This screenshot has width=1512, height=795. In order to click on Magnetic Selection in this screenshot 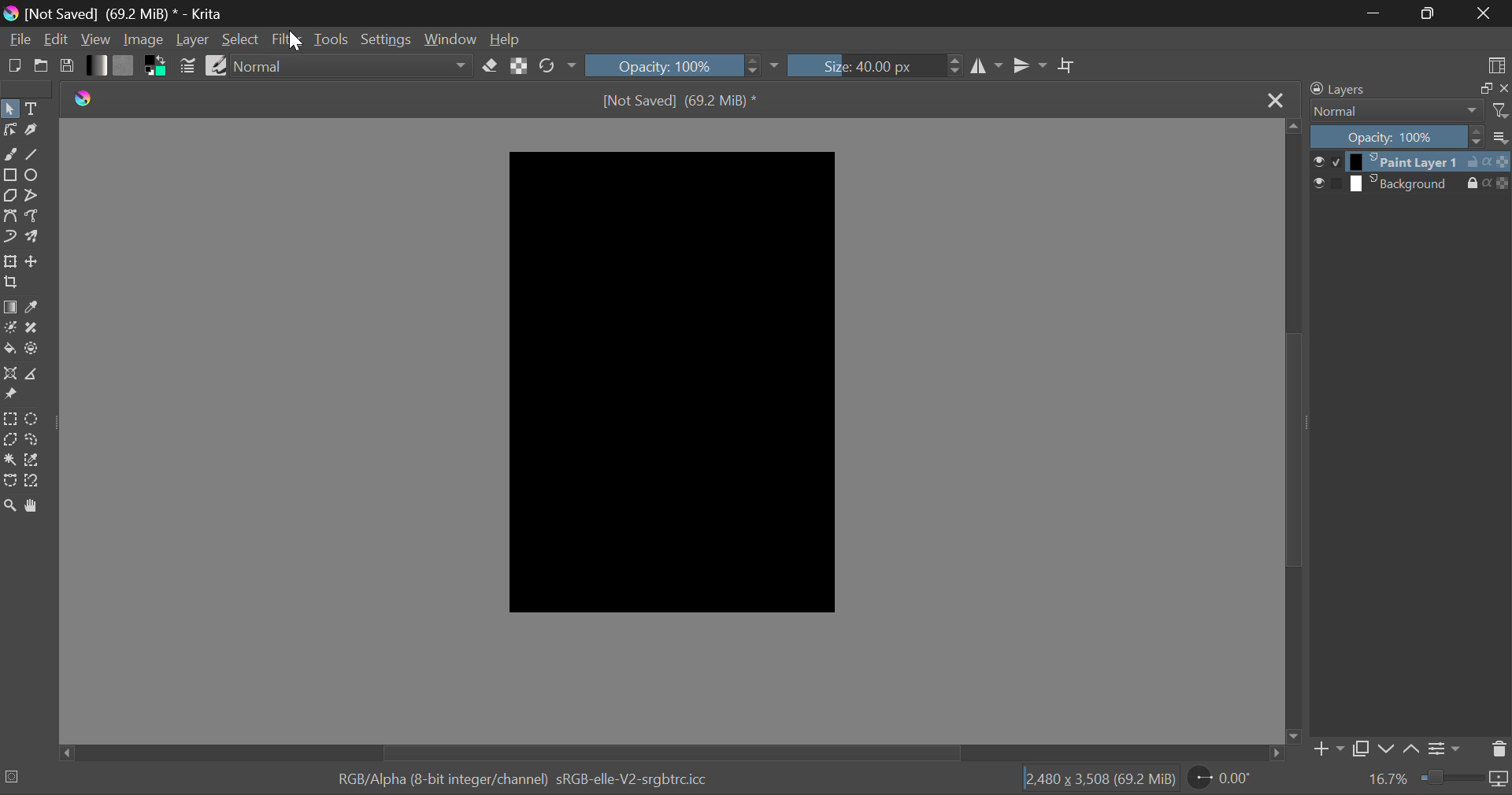, I will do `click(36, 481)`.